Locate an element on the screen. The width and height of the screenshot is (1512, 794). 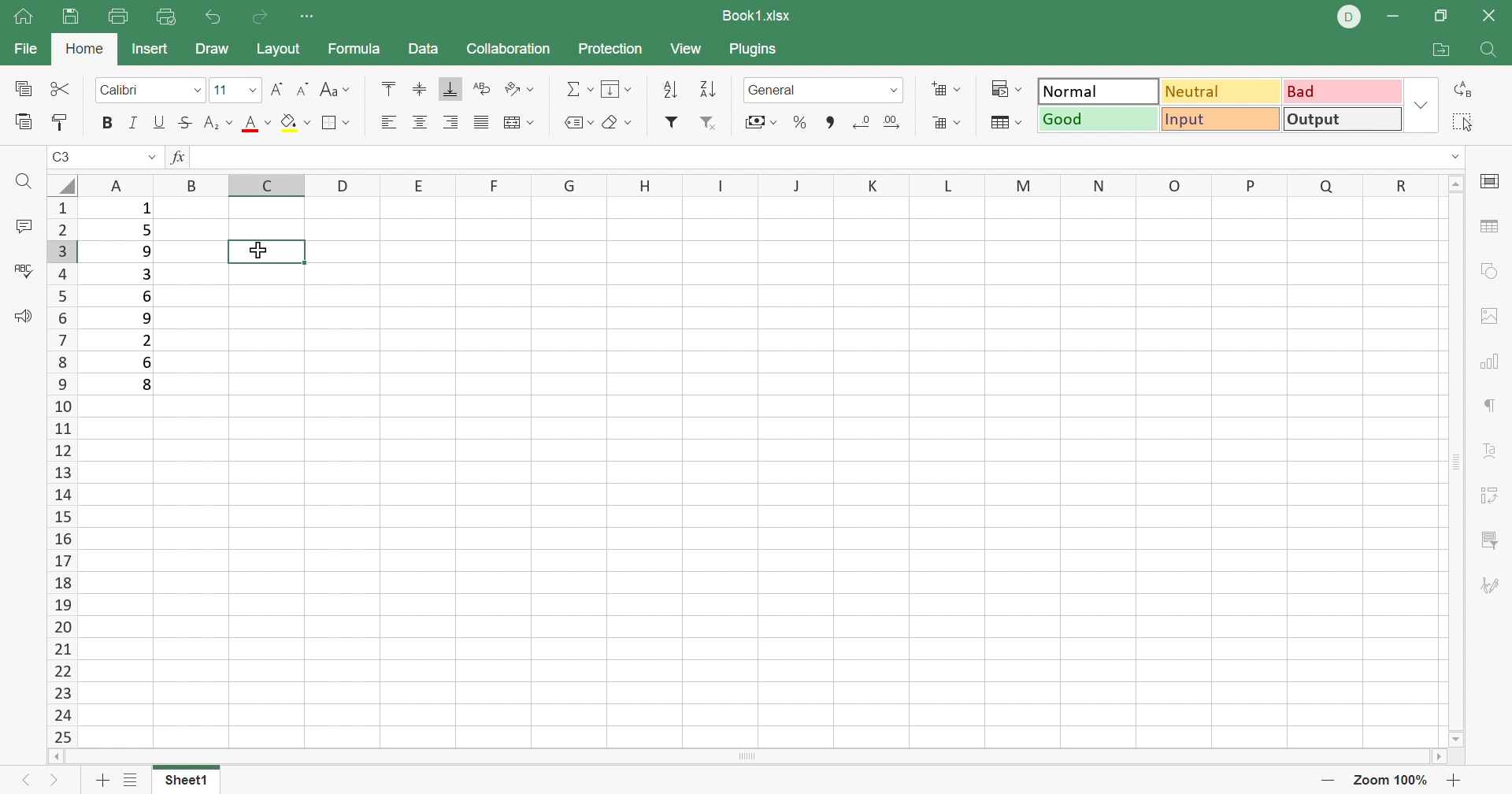
Zoom in is located at coordinates (1453, 780).